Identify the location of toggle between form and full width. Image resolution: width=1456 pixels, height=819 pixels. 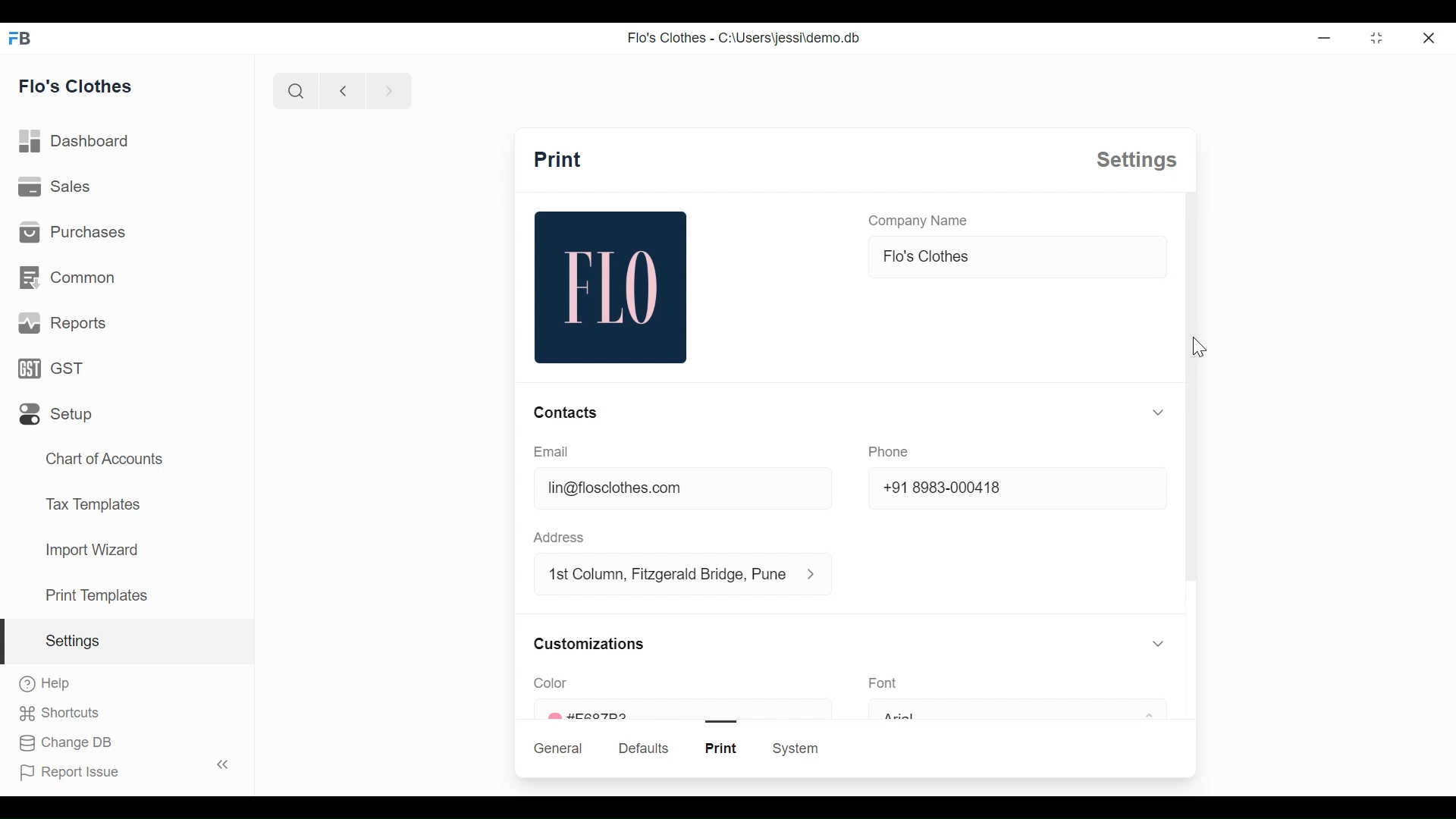
(1377, 38).